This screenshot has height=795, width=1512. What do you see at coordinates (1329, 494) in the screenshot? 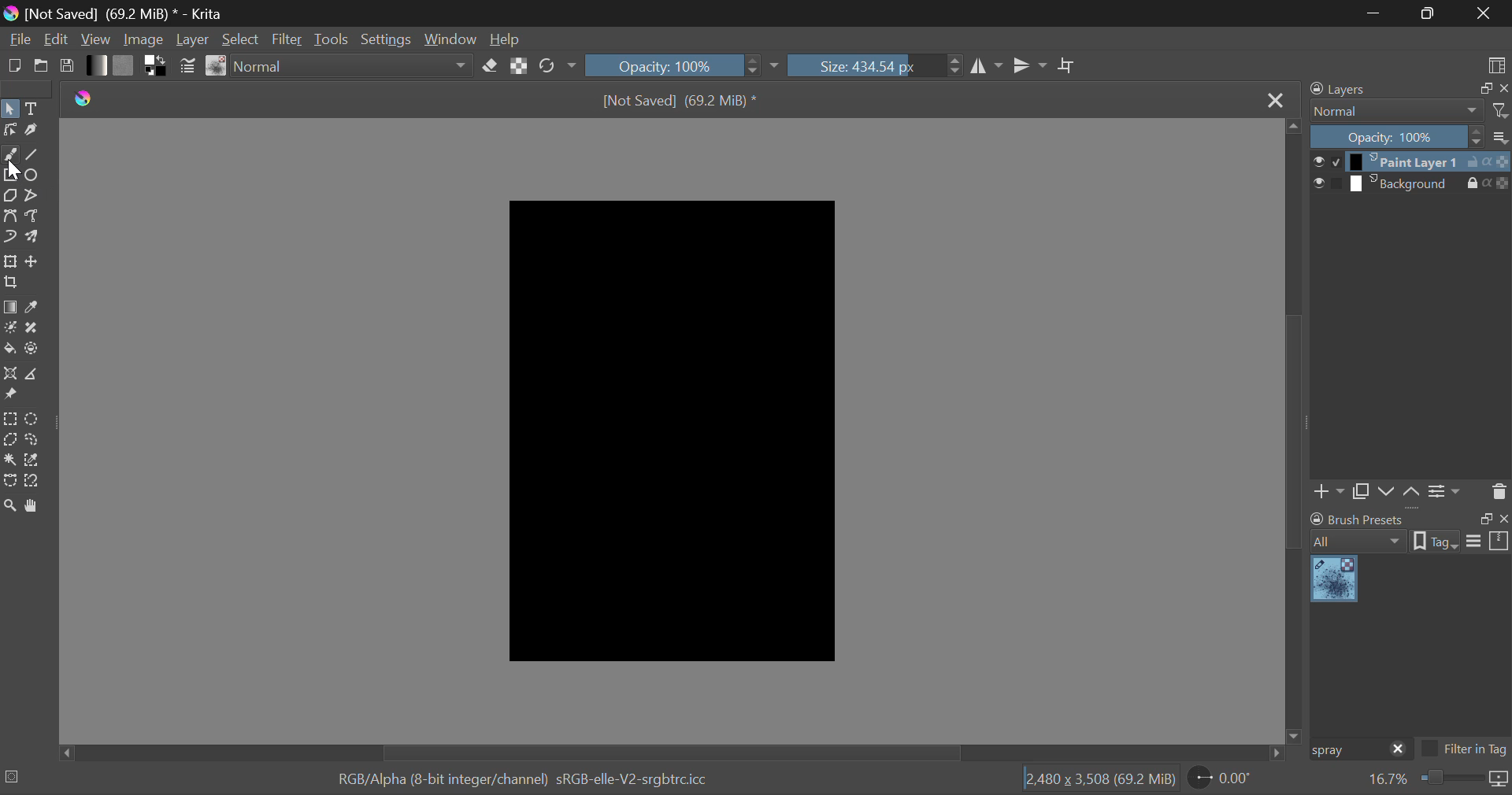
I see `Add Layer` at bounding box center [1329, 494].